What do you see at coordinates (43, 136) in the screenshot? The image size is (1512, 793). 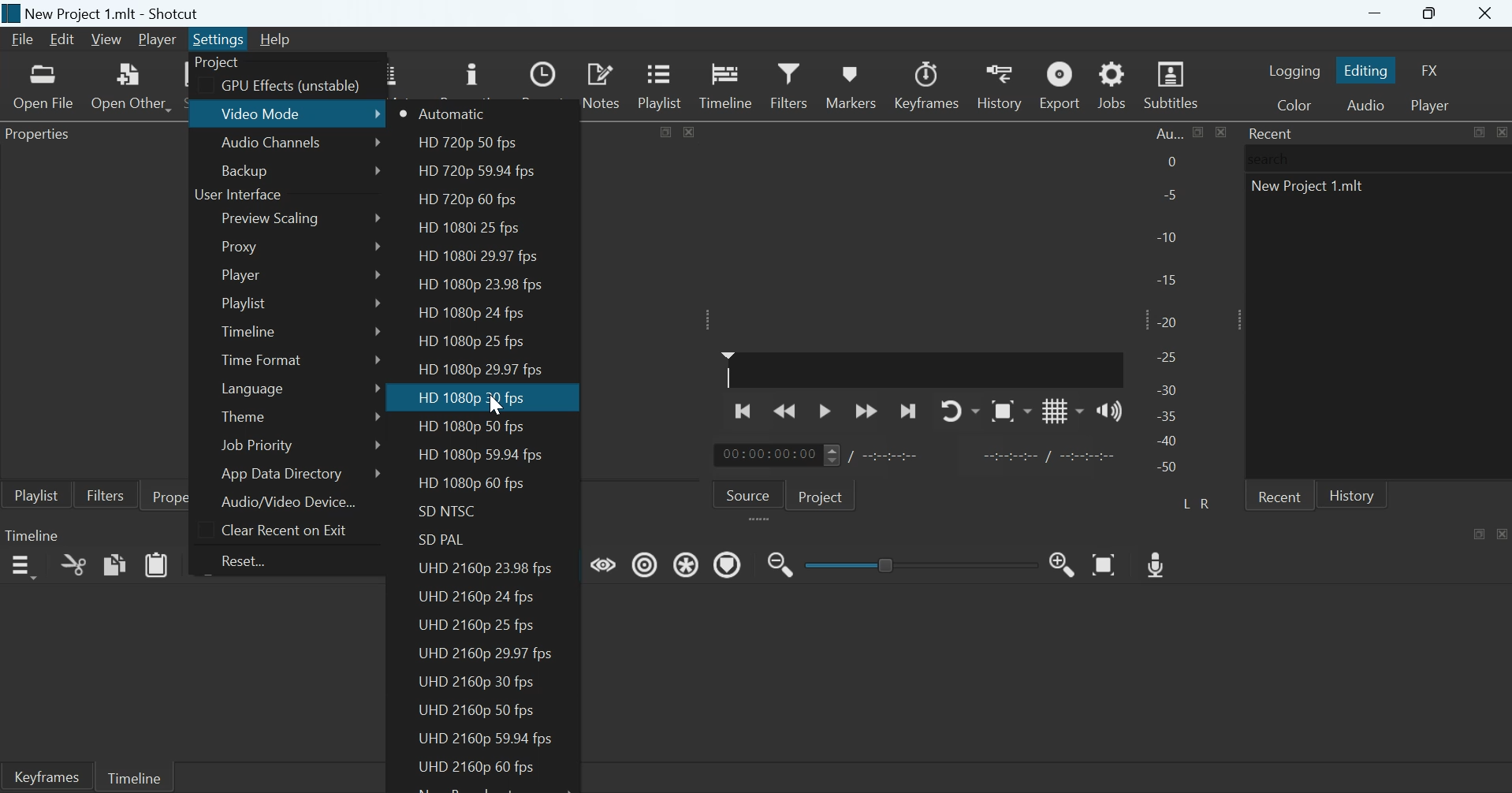 I see `Properties` at bounding box center [43, 136].